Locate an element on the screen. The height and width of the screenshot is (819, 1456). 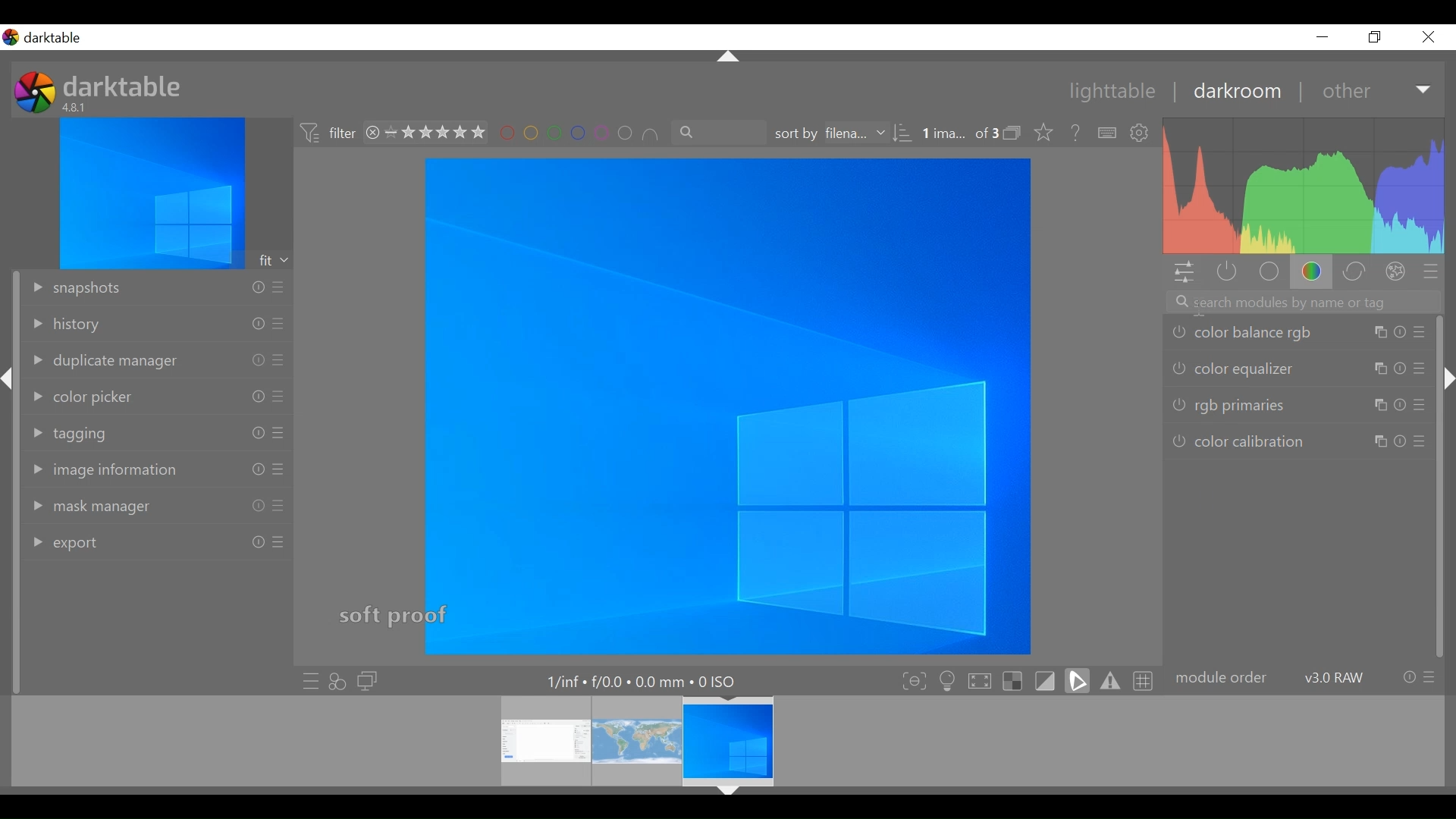
toggle gamut checking is located at coordinates (1109, 681).